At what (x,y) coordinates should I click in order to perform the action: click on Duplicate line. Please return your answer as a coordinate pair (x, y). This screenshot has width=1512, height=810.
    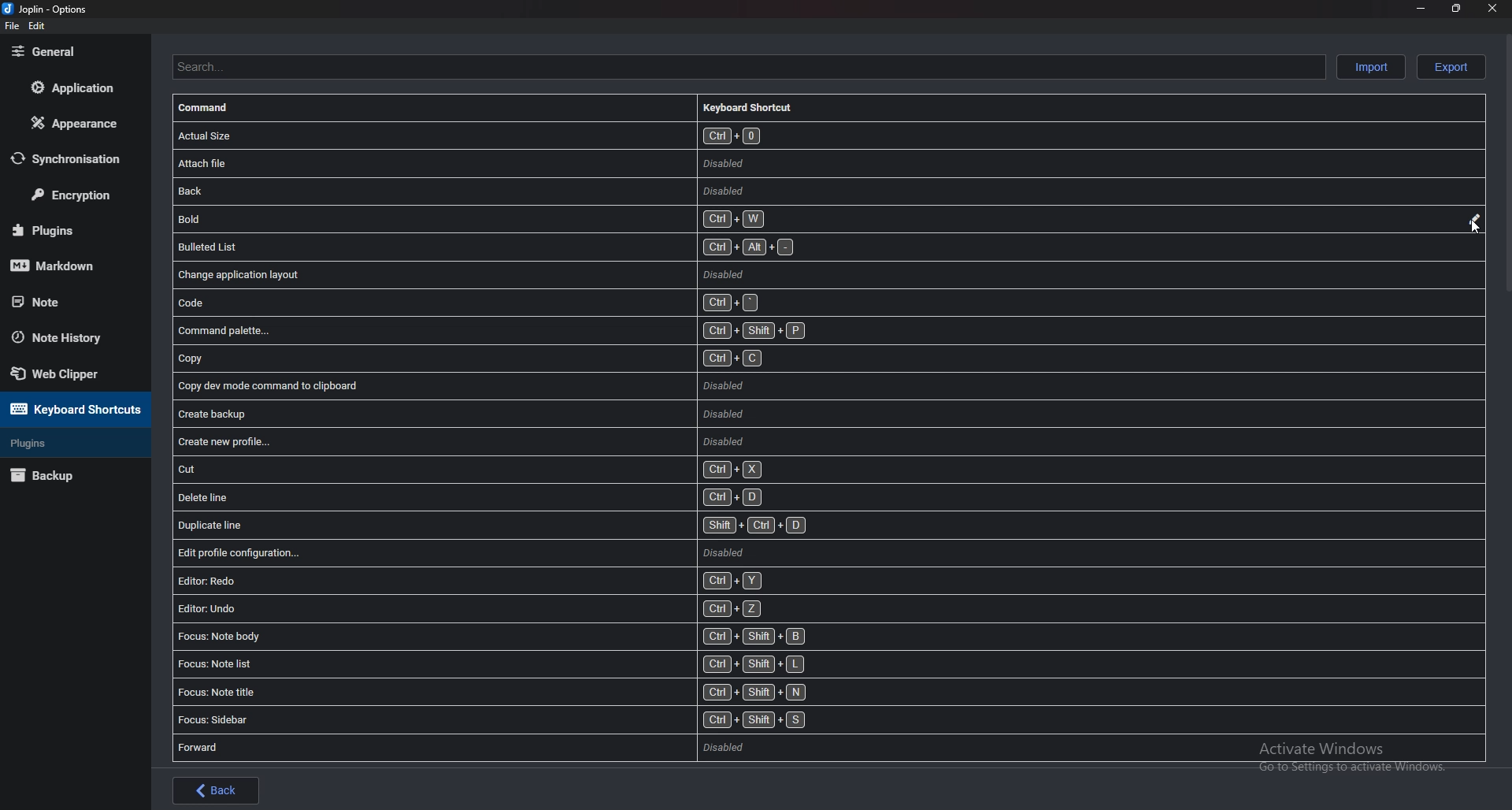
    Looking at the image, I should click on (526, 526).